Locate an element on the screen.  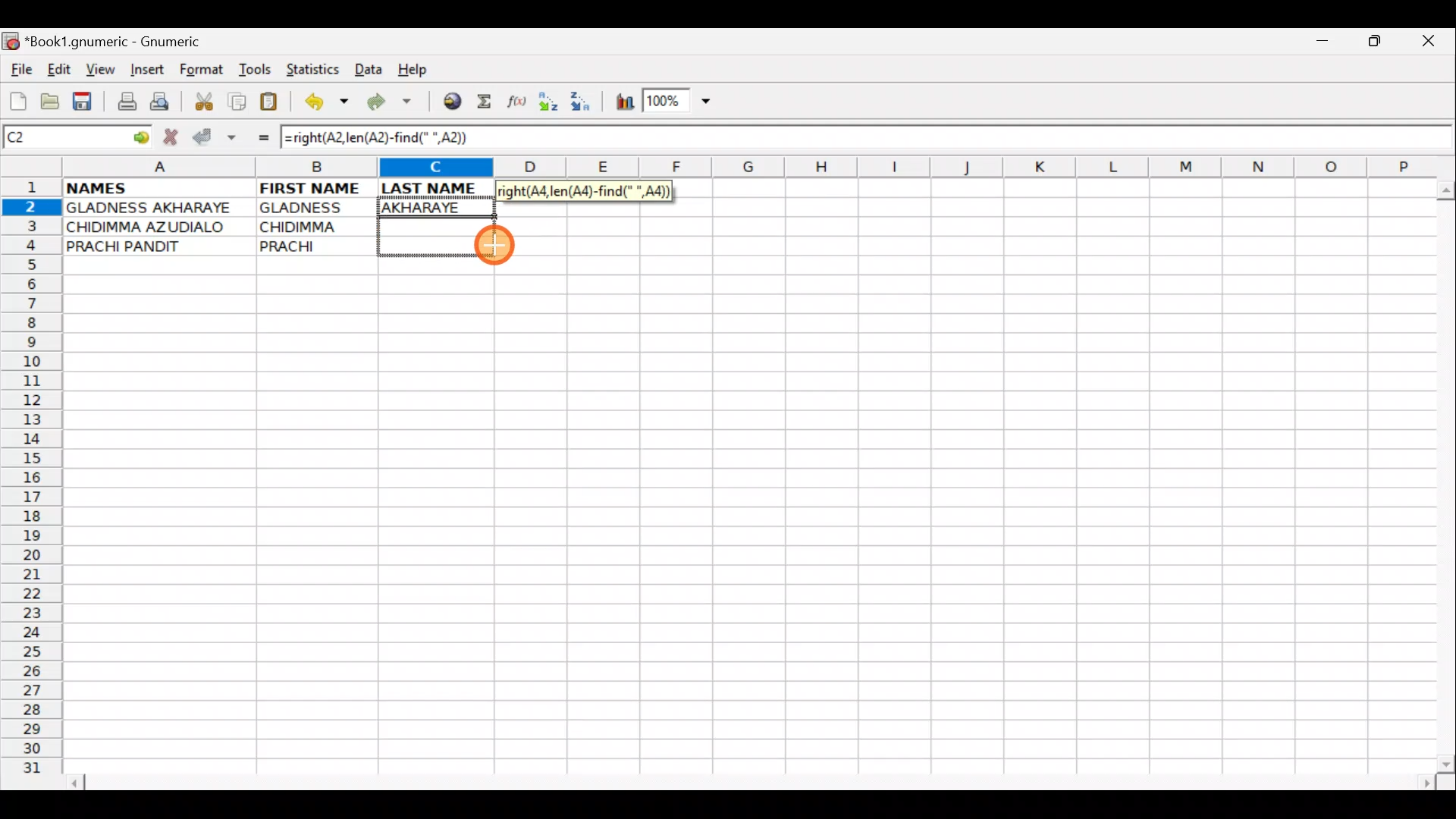
Sort Ascending order is located at coordinates (553, 105).